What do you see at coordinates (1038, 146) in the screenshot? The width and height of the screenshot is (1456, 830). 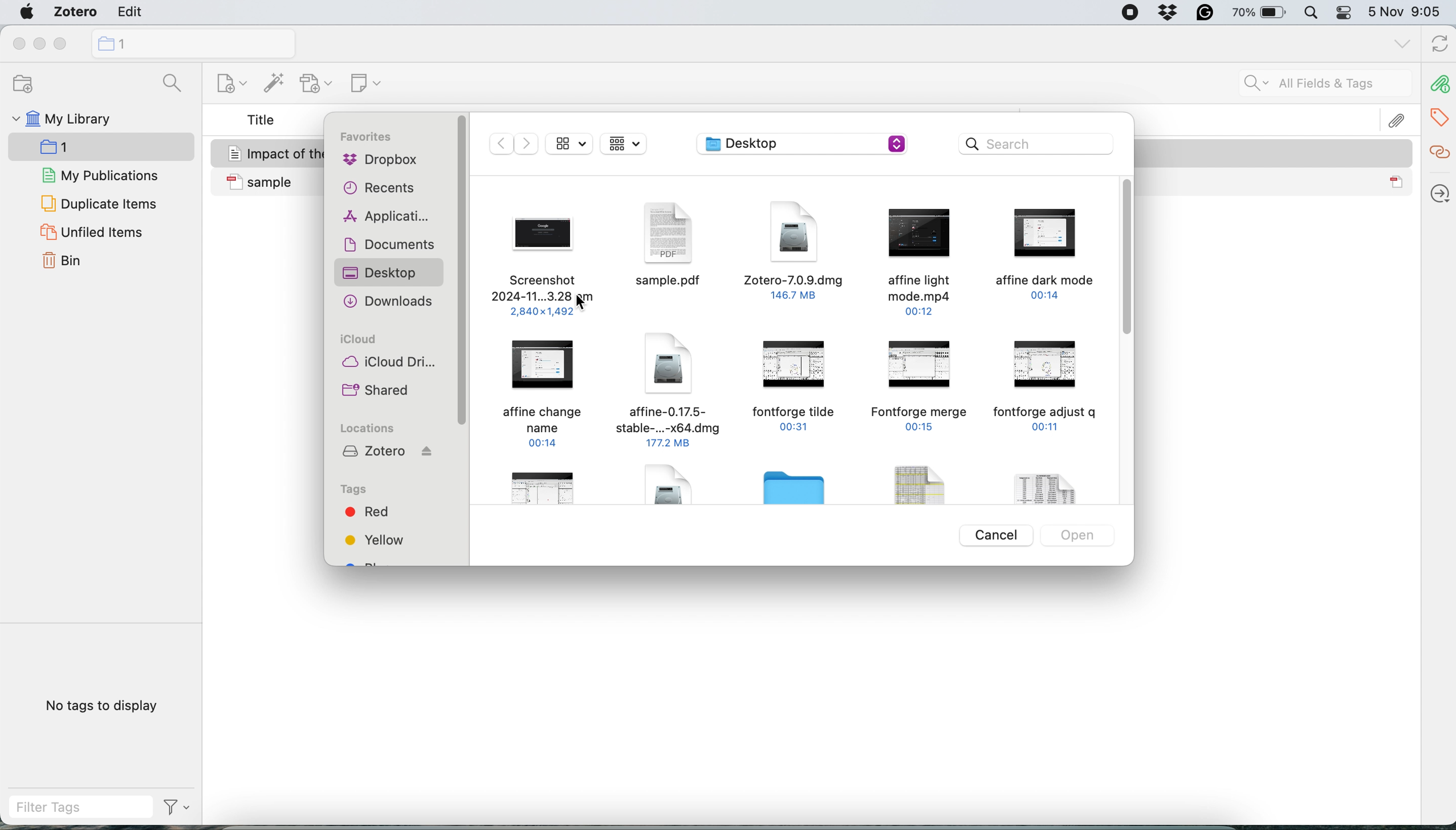 I see `search` at bounding box center [1038, 146].